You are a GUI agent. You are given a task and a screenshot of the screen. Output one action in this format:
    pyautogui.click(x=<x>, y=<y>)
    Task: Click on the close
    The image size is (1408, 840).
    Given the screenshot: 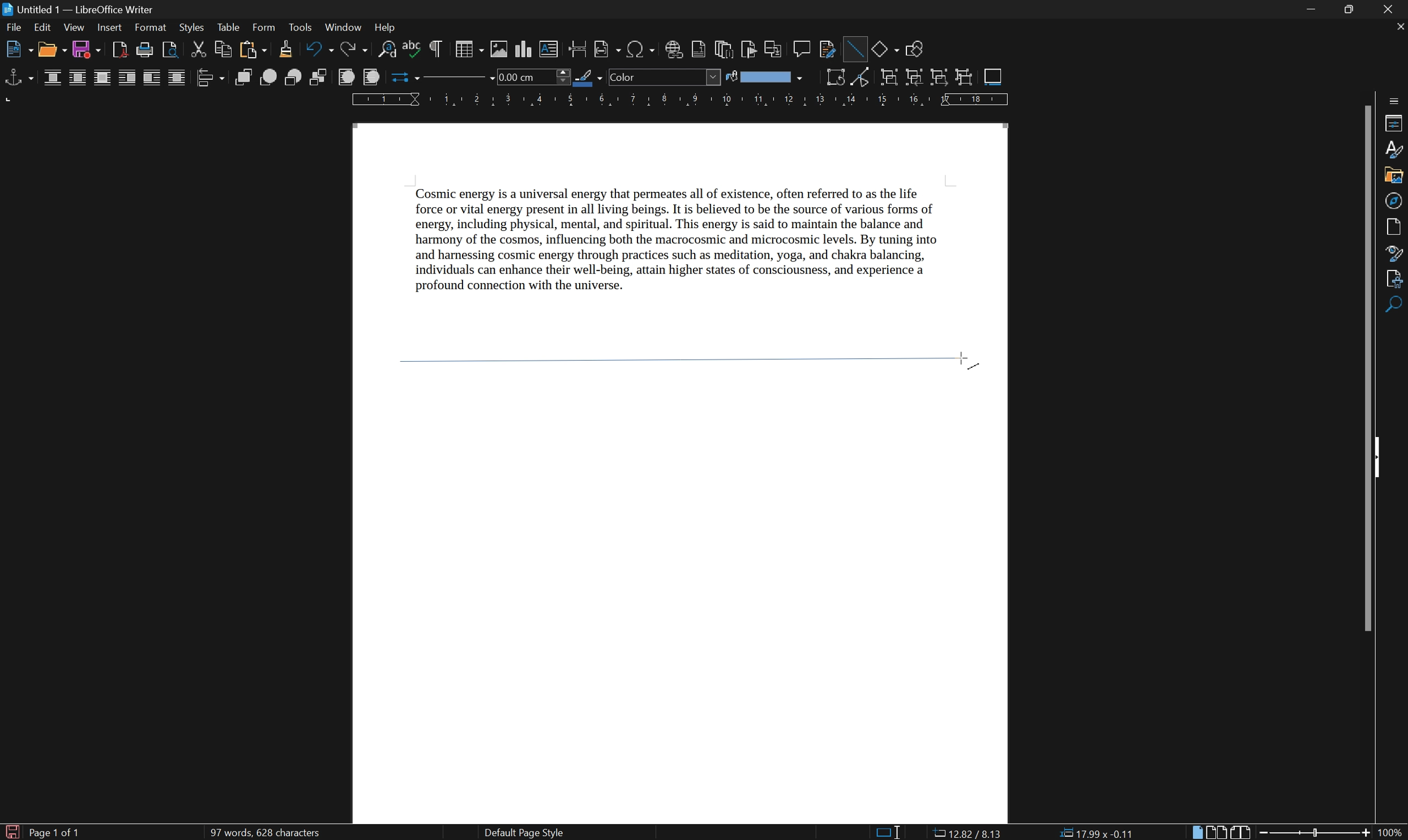 What is the action you would take?
    pyautogui.click(x=1399, y=26)
    